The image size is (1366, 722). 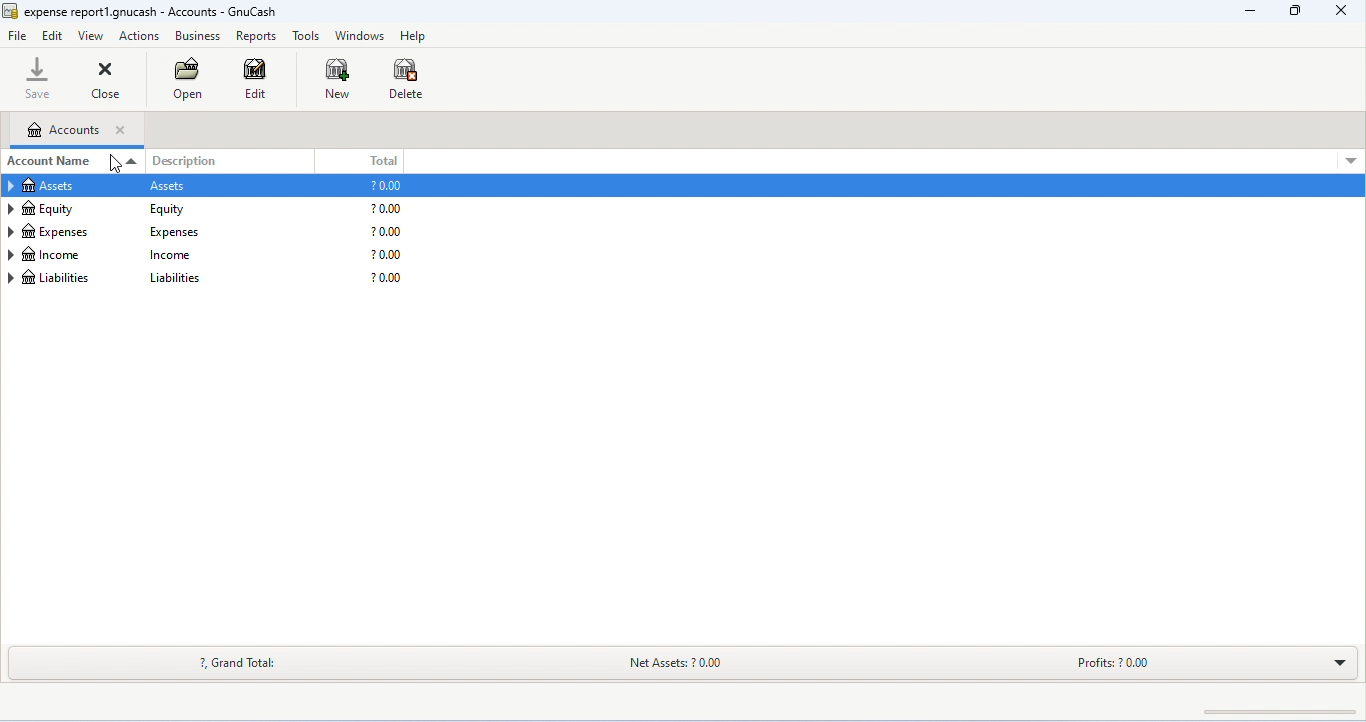 I want to click on reports, so click(x=257, y=36).